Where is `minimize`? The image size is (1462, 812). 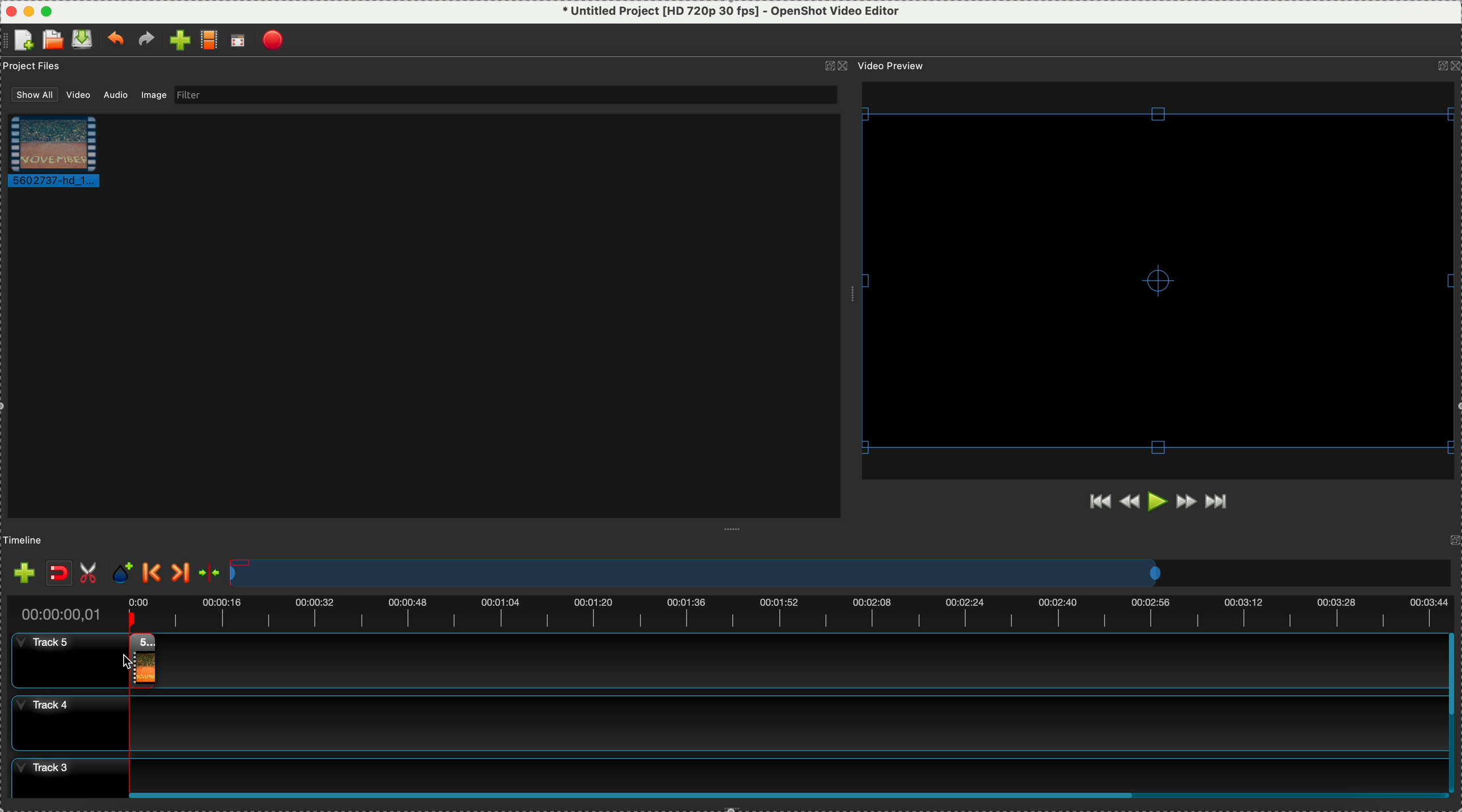 minimize is located at coordinates (28, 10).